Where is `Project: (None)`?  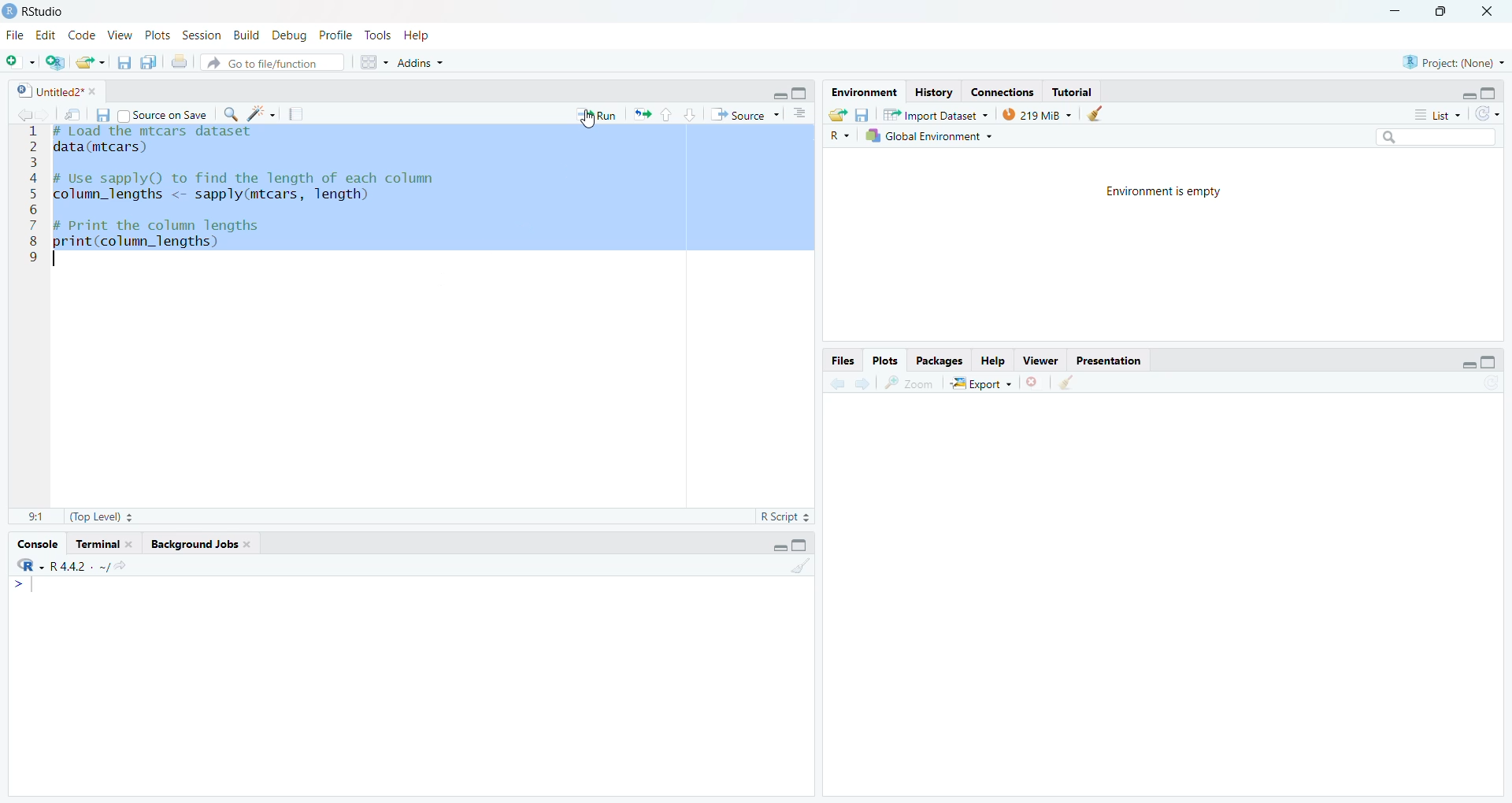 Project: (None) is located at coordinates (1452, 61).